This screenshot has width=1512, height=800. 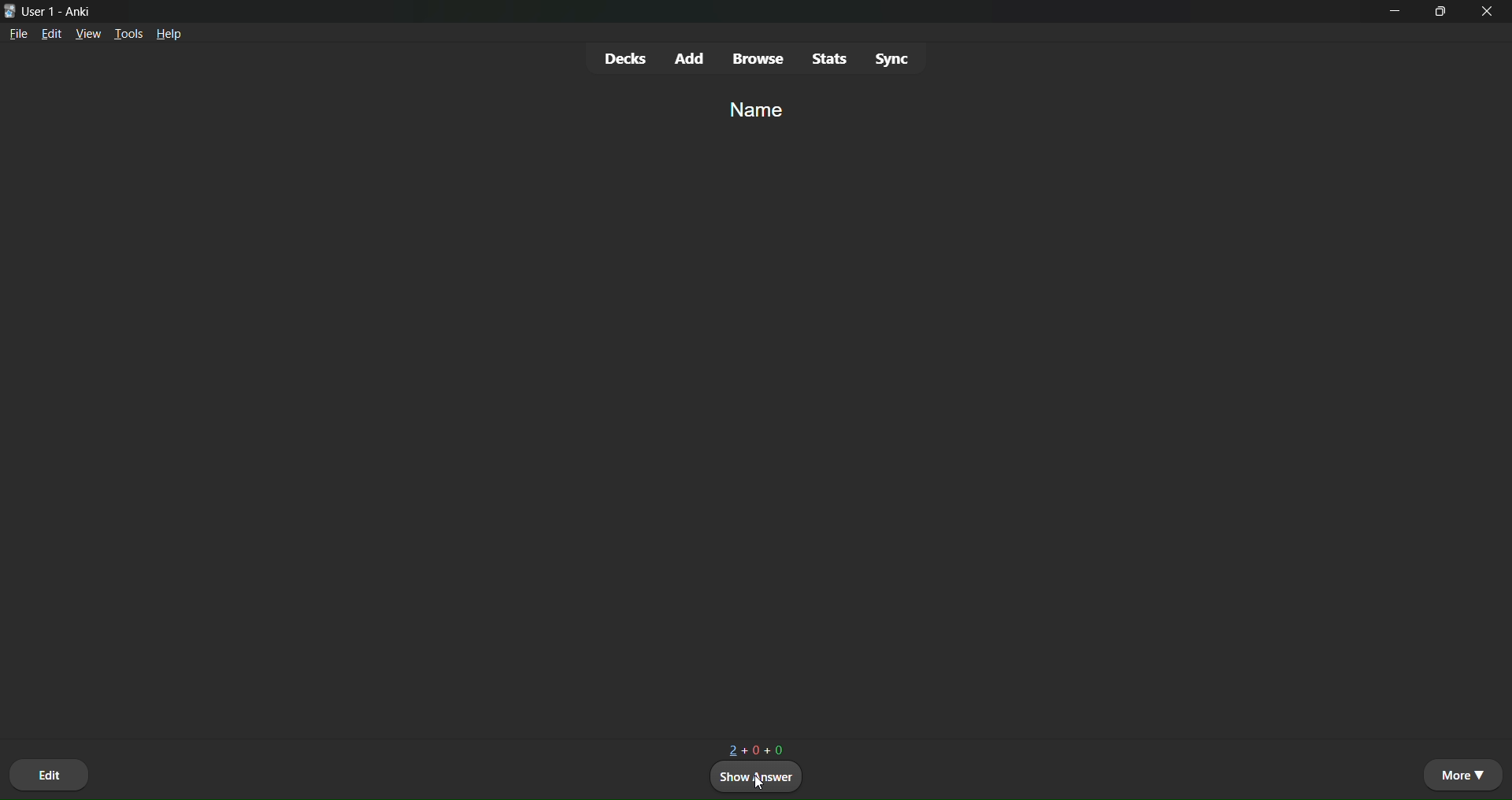 I want to click on browse, so click(x=759, y=60).